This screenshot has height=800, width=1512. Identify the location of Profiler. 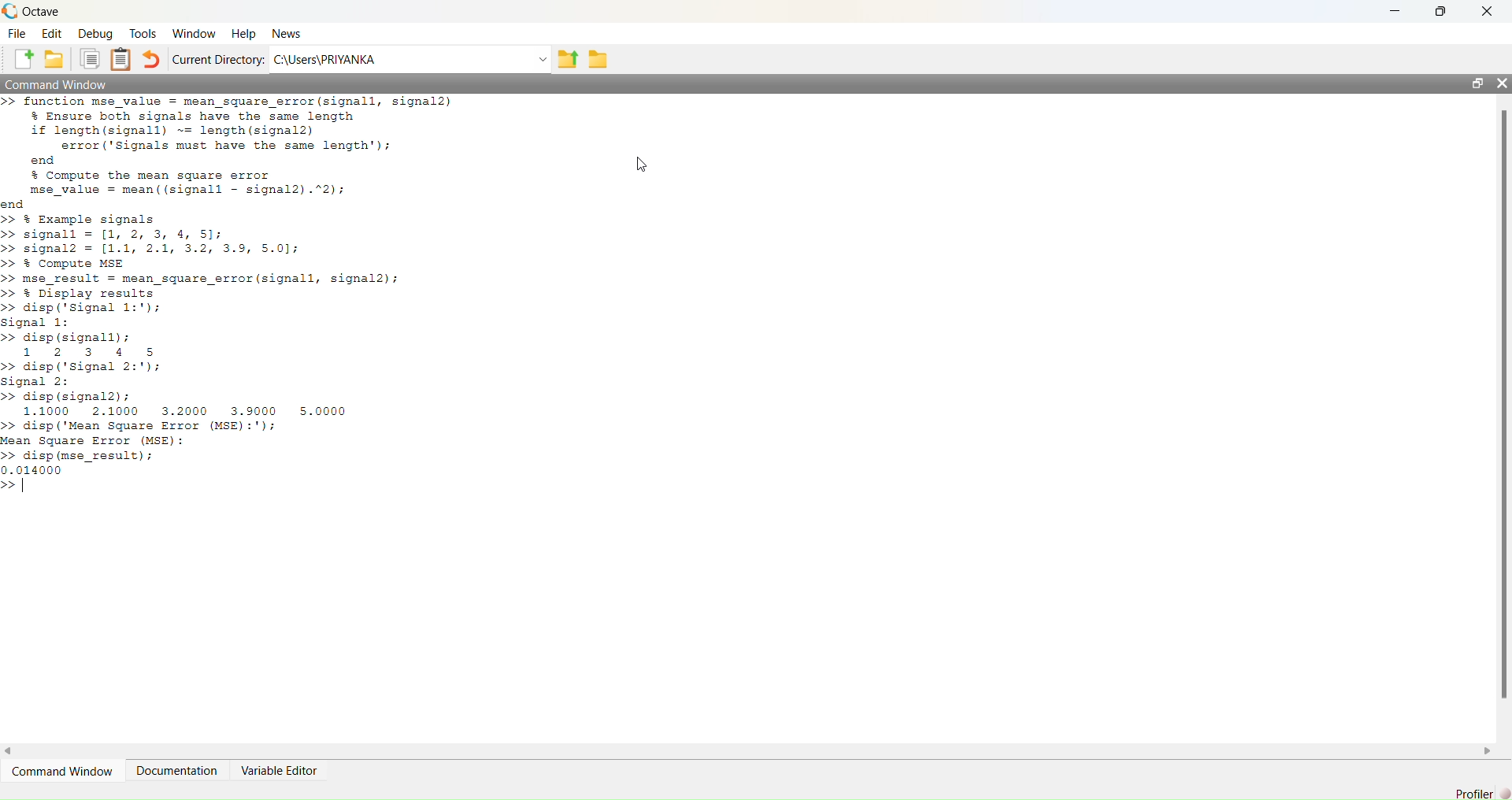
(1482, 793).